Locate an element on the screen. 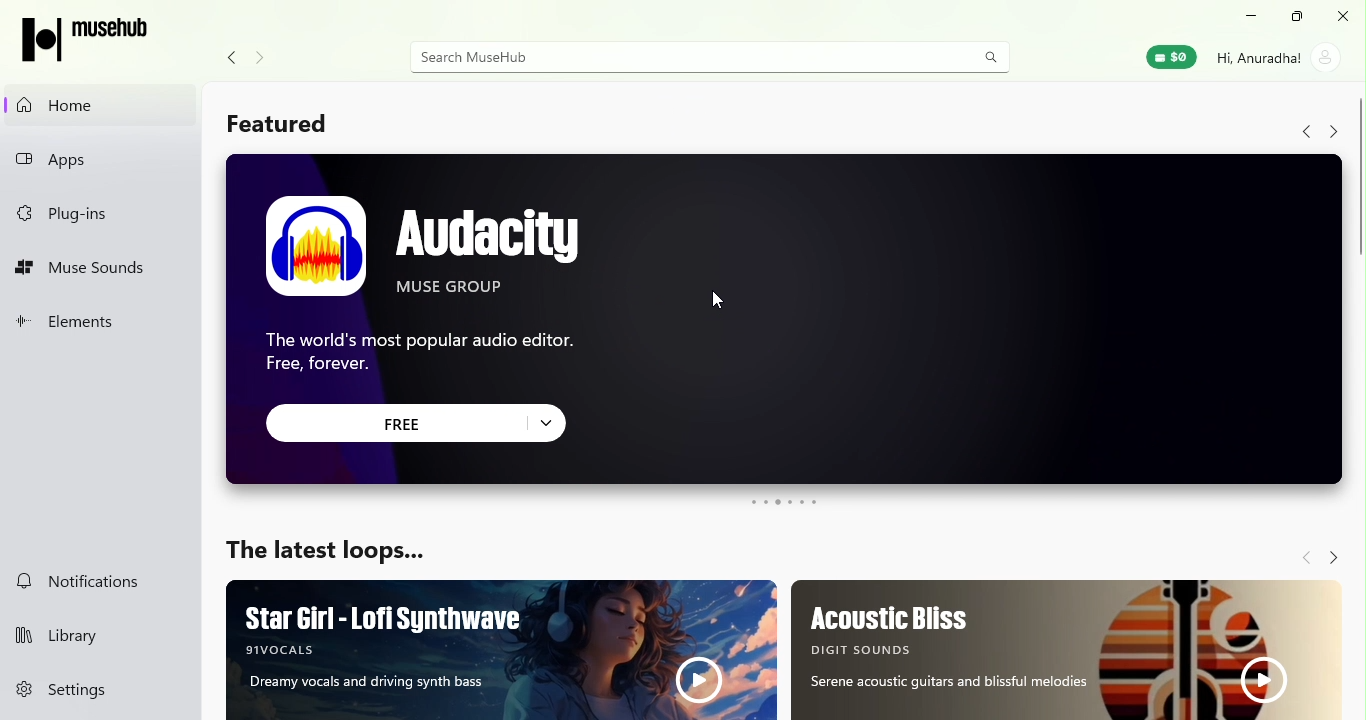  Plug-ins is located at coordinates (100, 214).